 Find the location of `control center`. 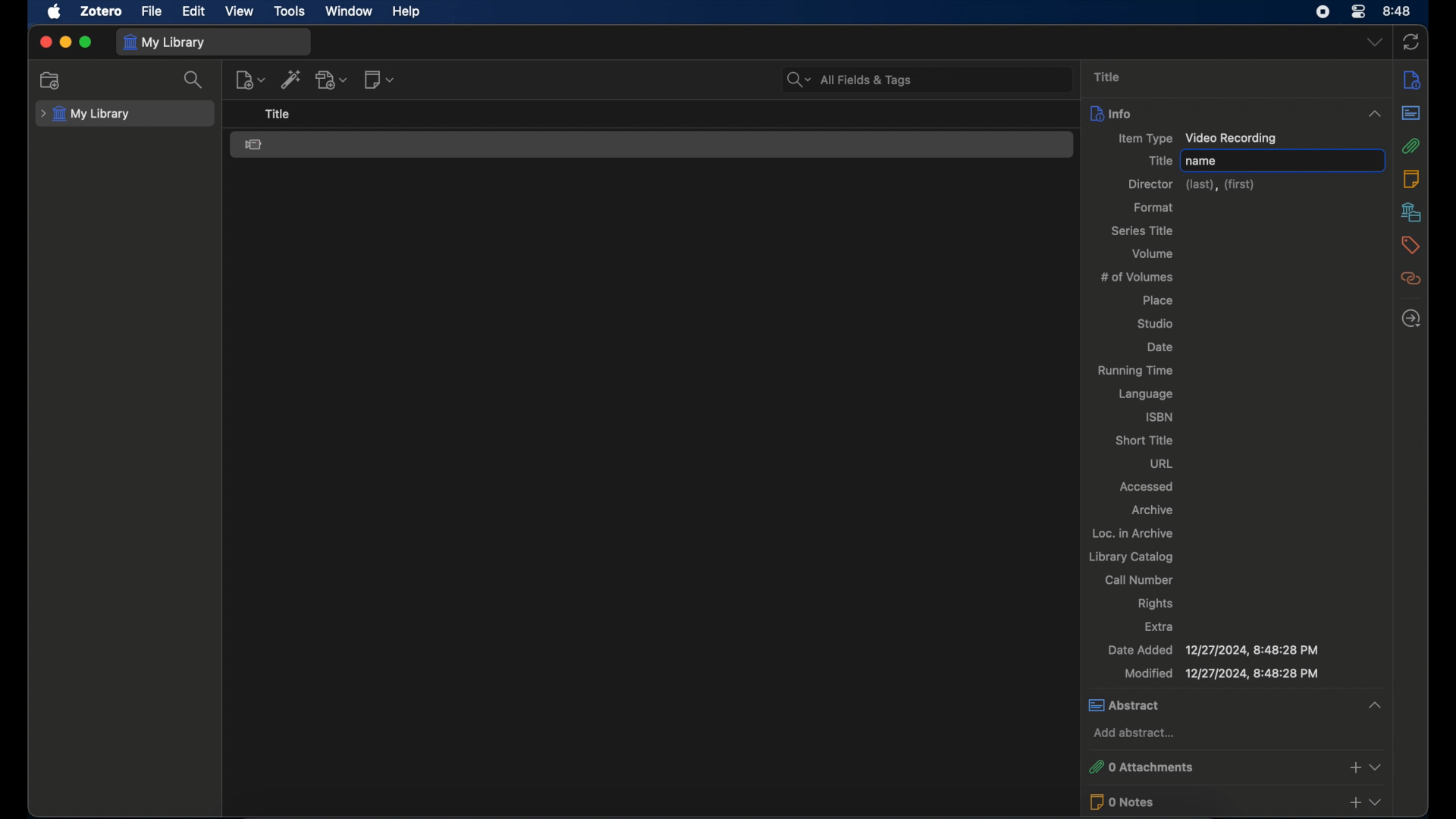

control center is located at coordinates (1359, 12).